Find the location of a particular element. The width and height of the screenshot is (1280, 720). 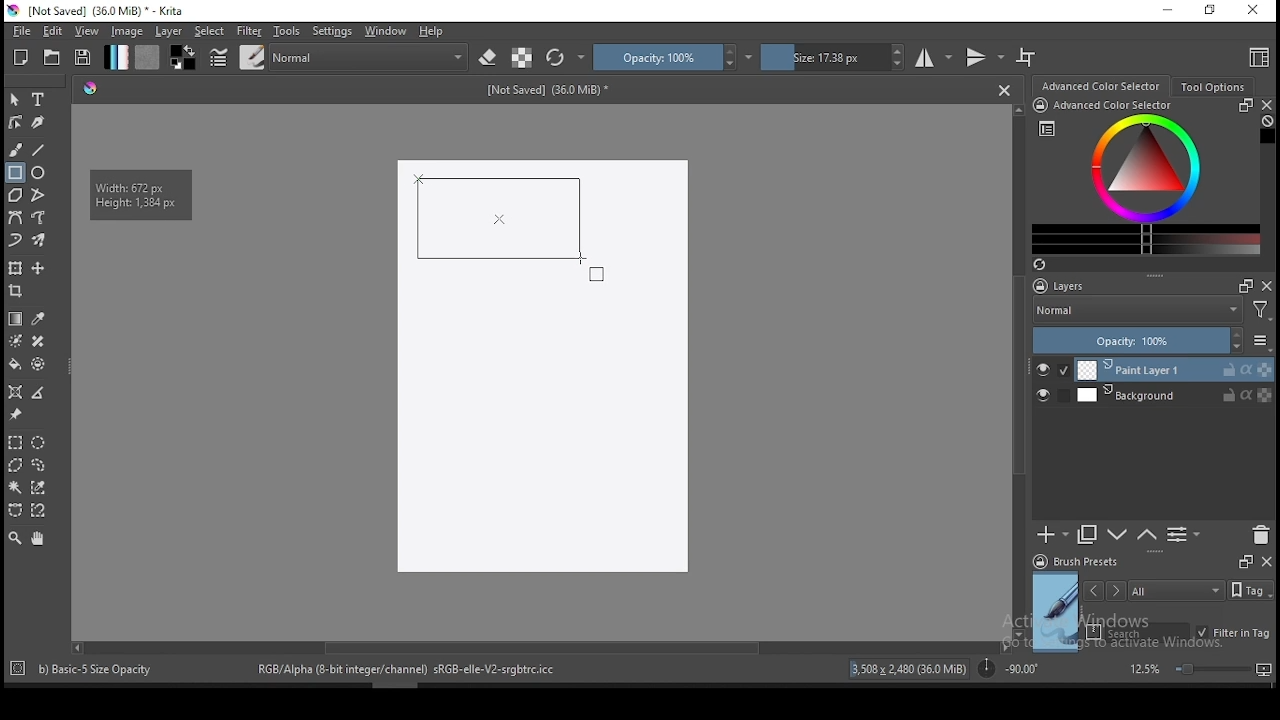

layers is located at coordinates (1065, 287).